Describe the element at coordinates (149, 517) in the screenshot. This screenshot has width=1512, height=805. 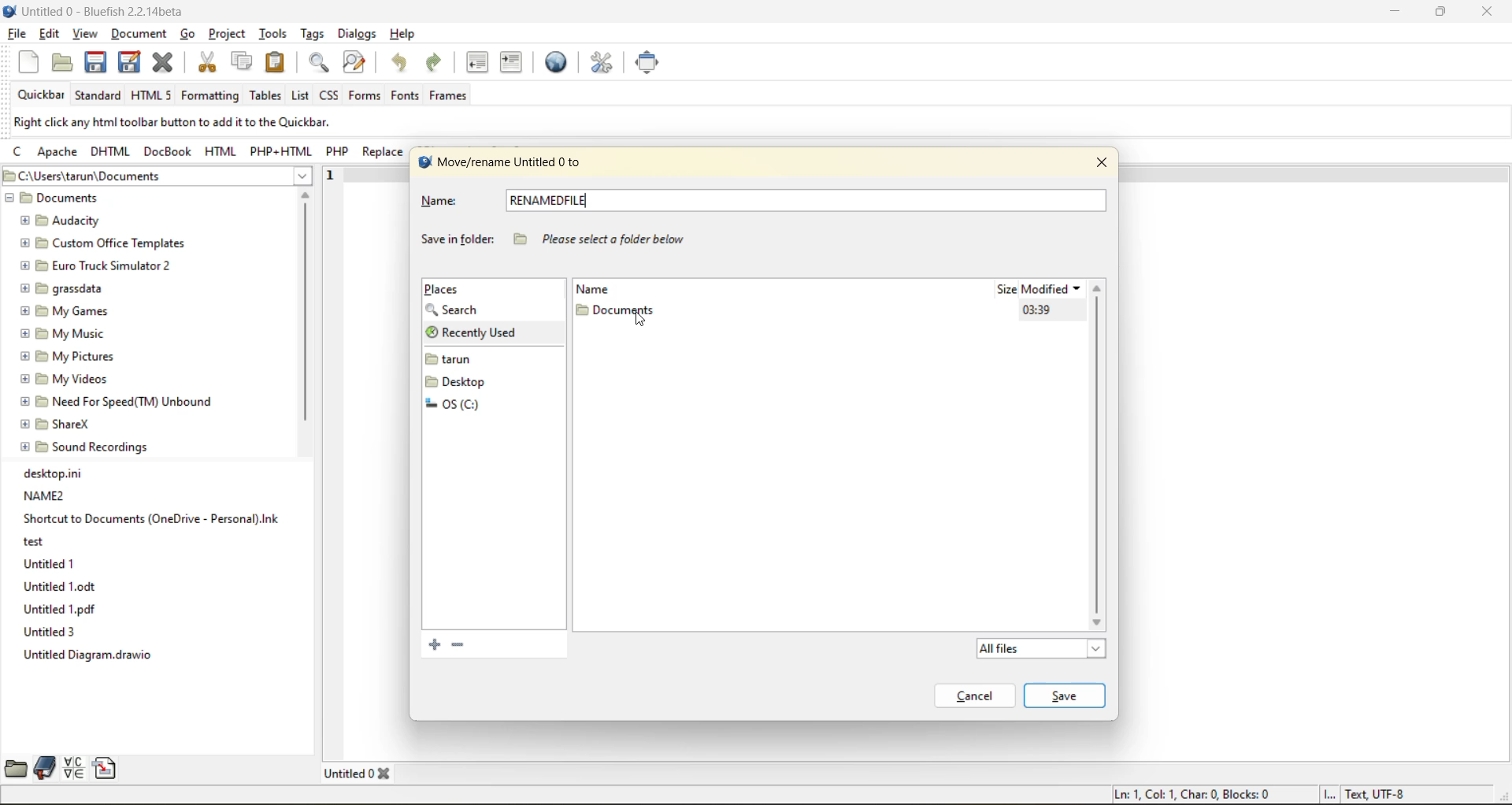
I see `Shortcut to Documents (OneDrive-Personal).Ink` at that location.